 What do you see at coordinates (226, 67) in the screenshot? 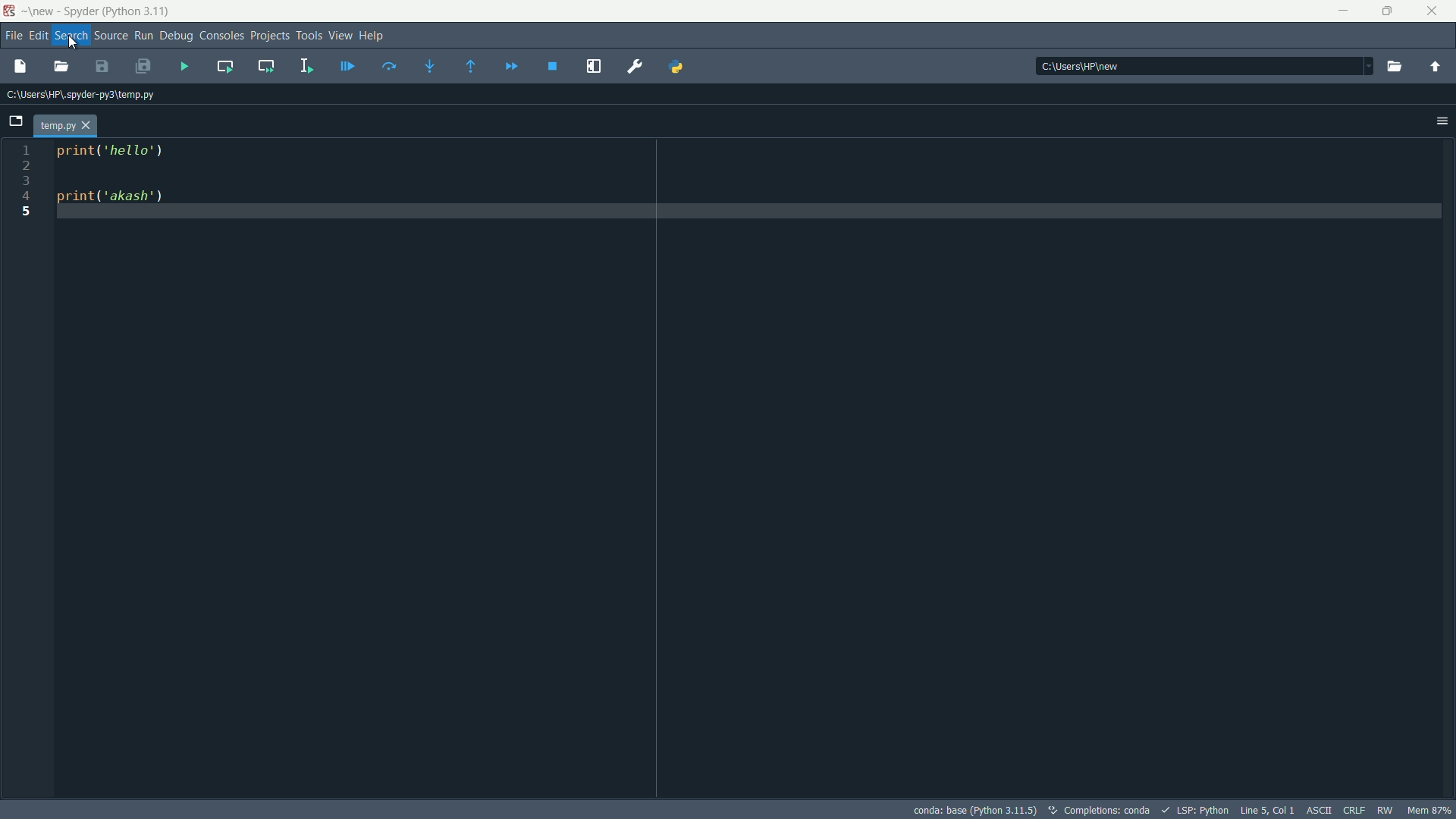
I see `run current cell` at bounding box center [226, 67].